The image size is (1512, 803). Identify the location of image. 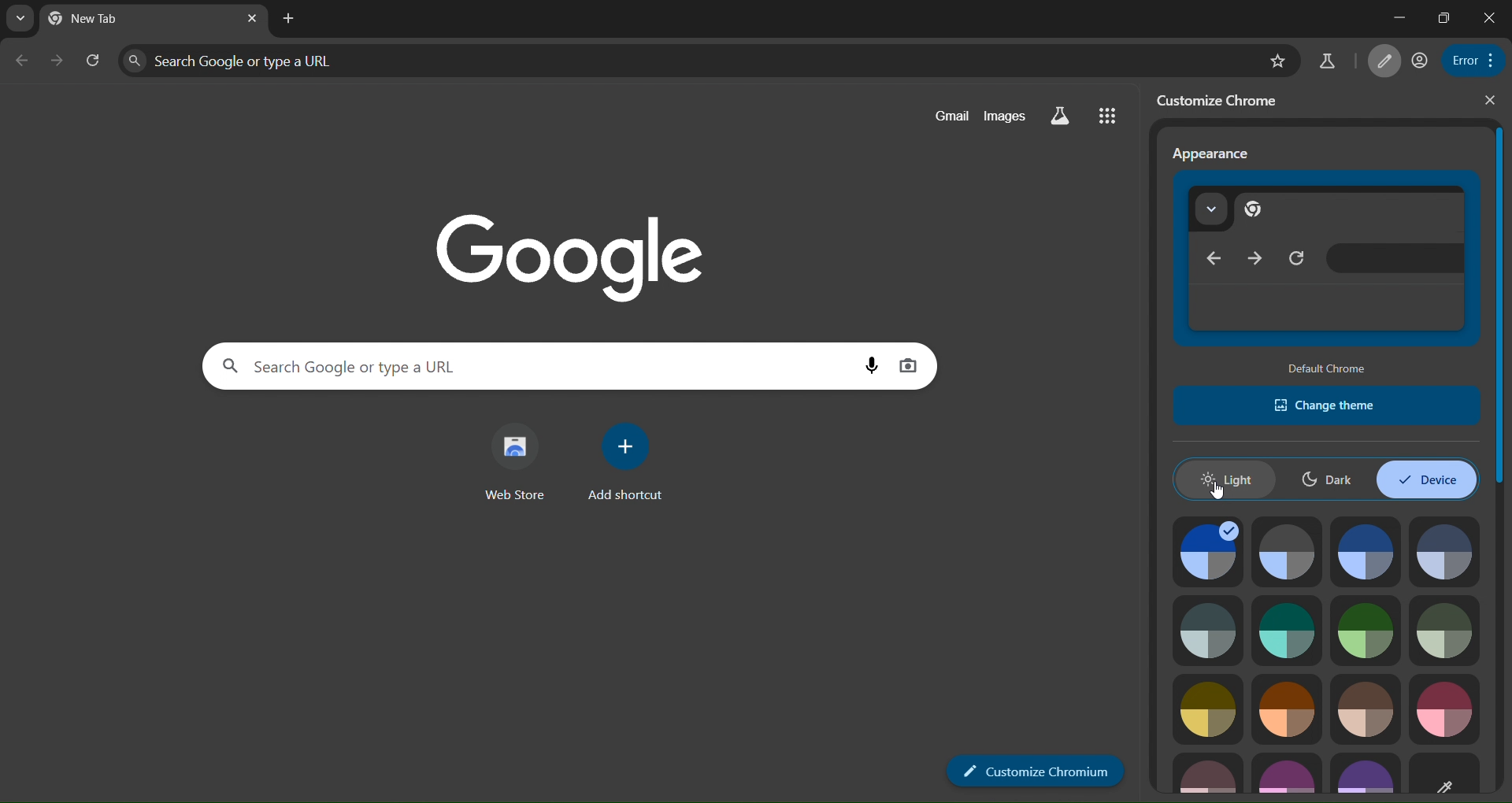
(1210, 631).